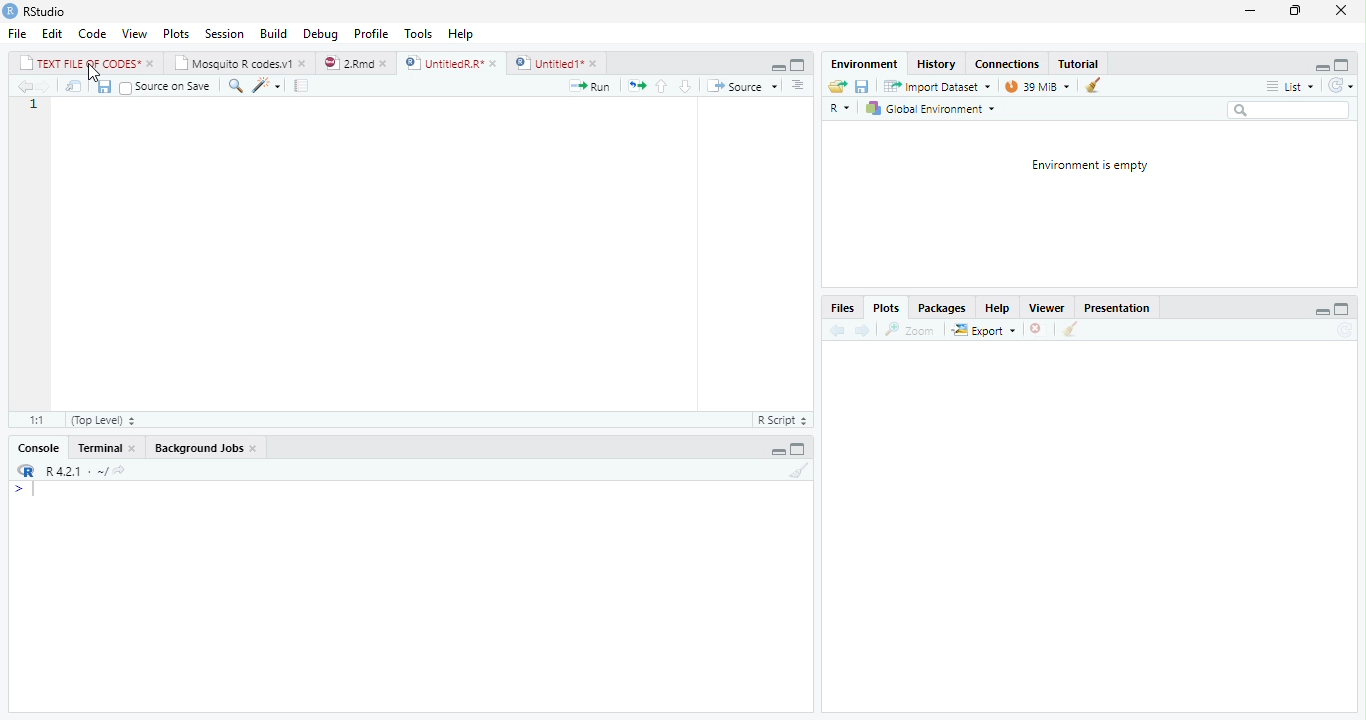  I want to click on Cursor, so click(98, 72).